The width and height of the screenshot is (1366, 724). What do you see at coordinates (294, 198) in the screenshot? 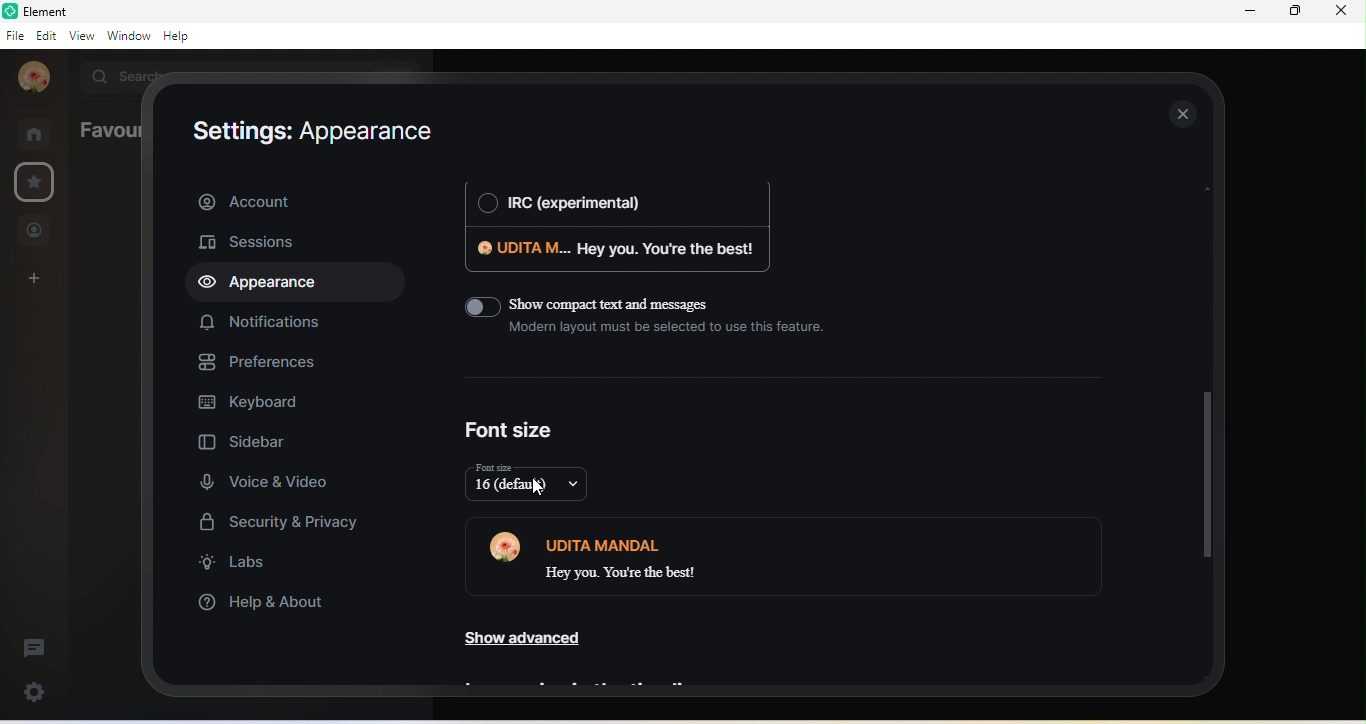
I see `account` at bounding box center [294, 198].